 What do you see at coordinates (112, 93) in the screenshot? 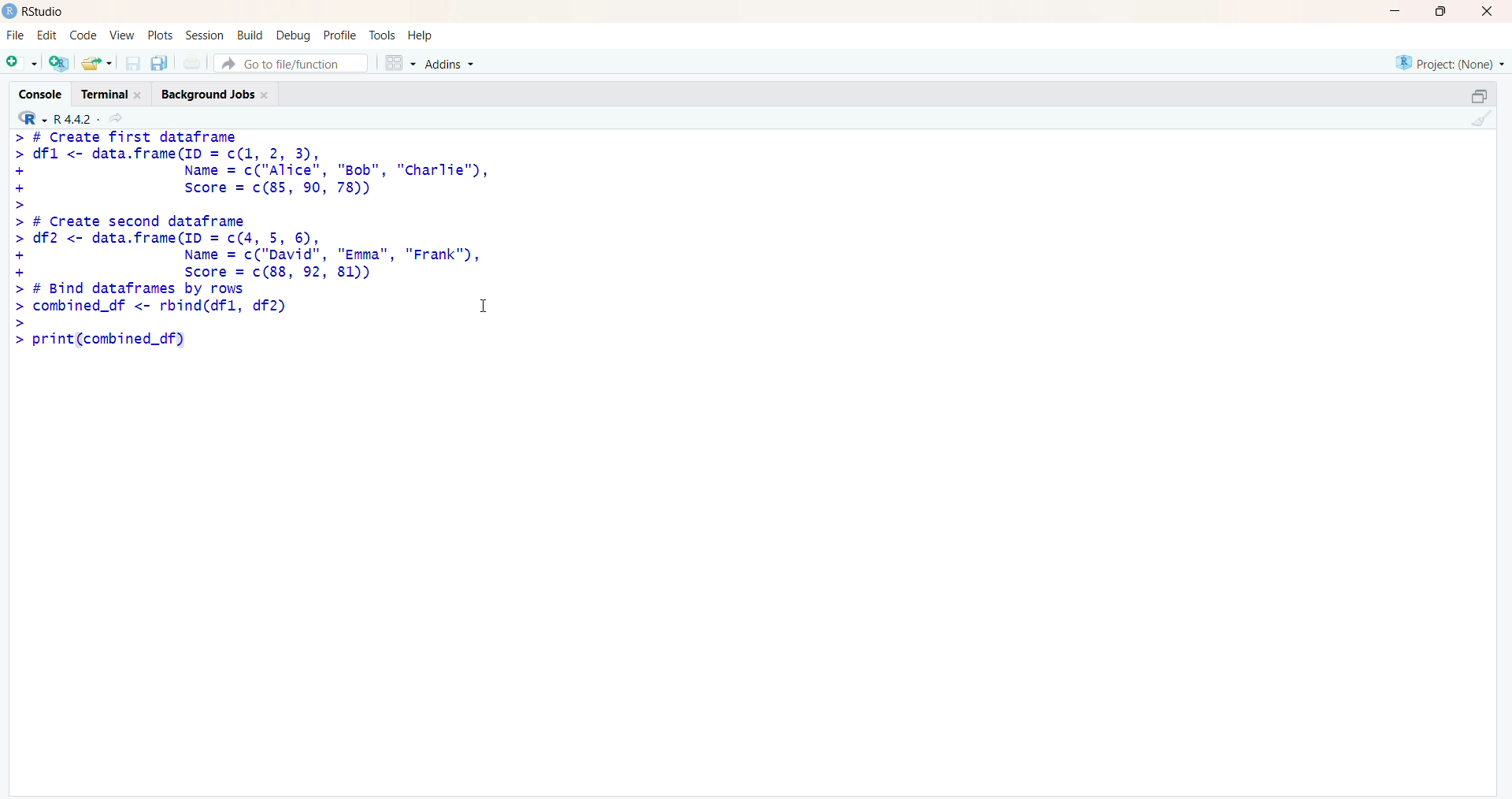
I see `Terminal` at bounding box center [112, 93].